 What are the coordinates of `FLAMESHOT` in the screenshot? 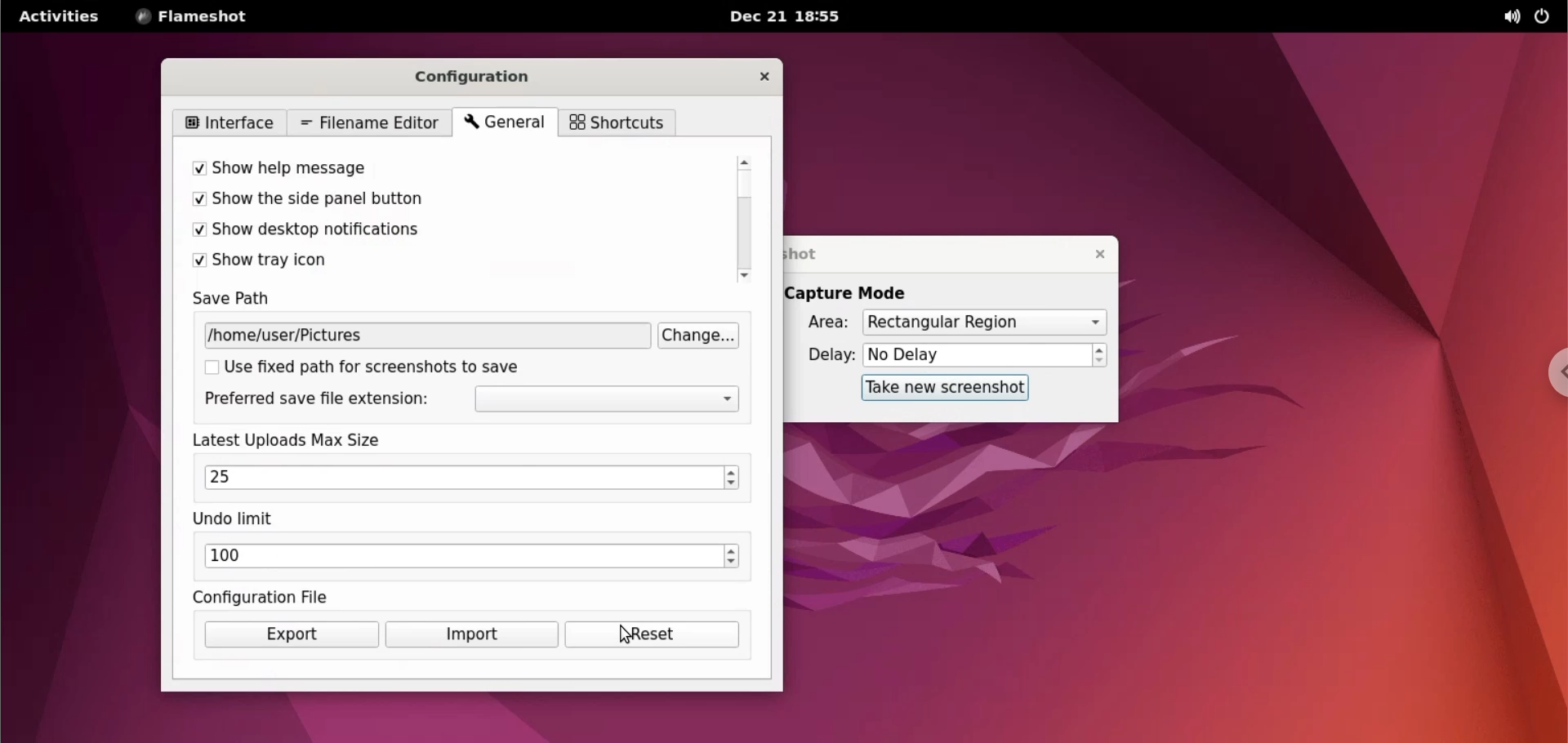 It's located at (204, 18).